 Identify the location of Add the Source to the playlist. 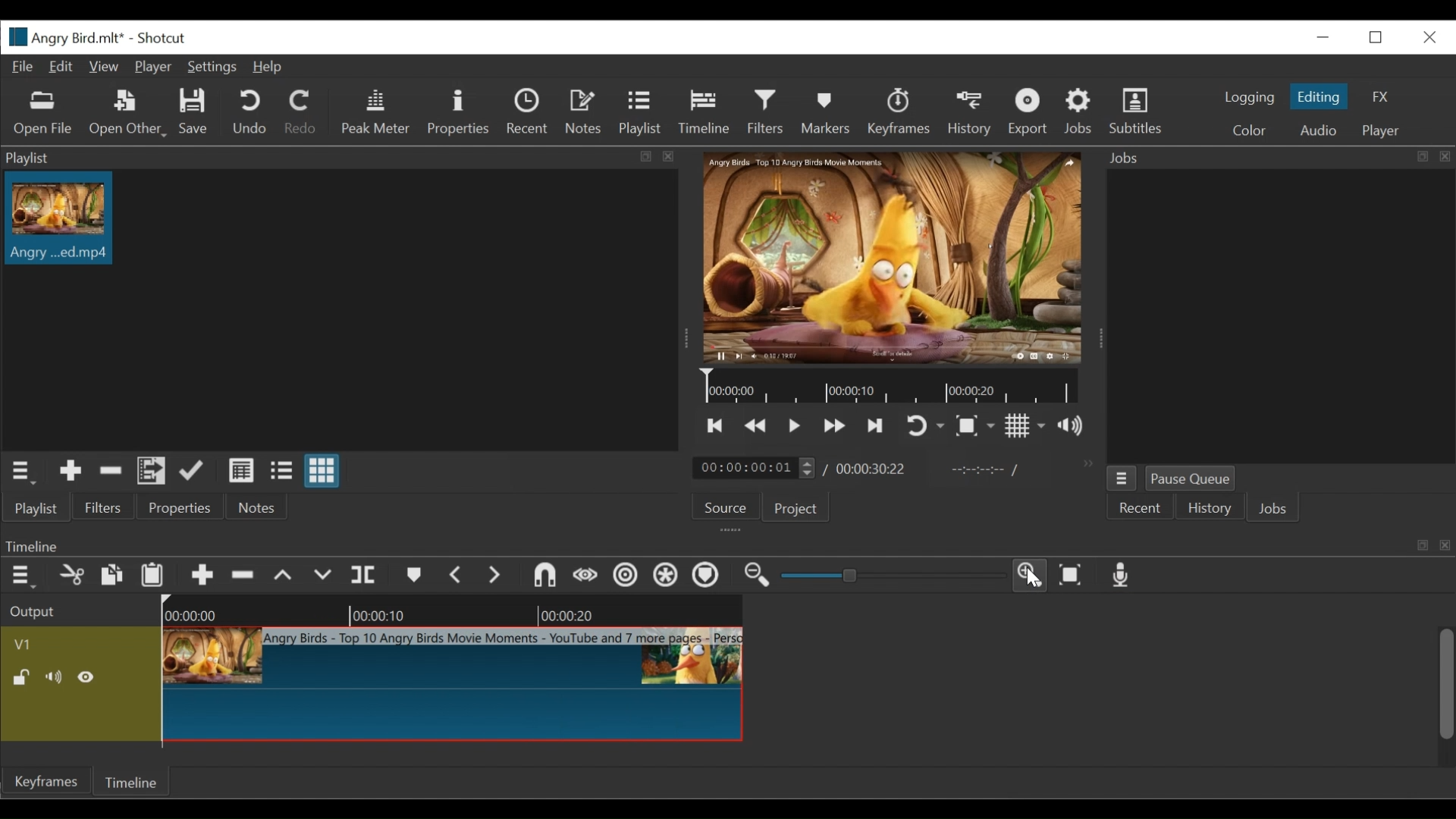
(71, 472).